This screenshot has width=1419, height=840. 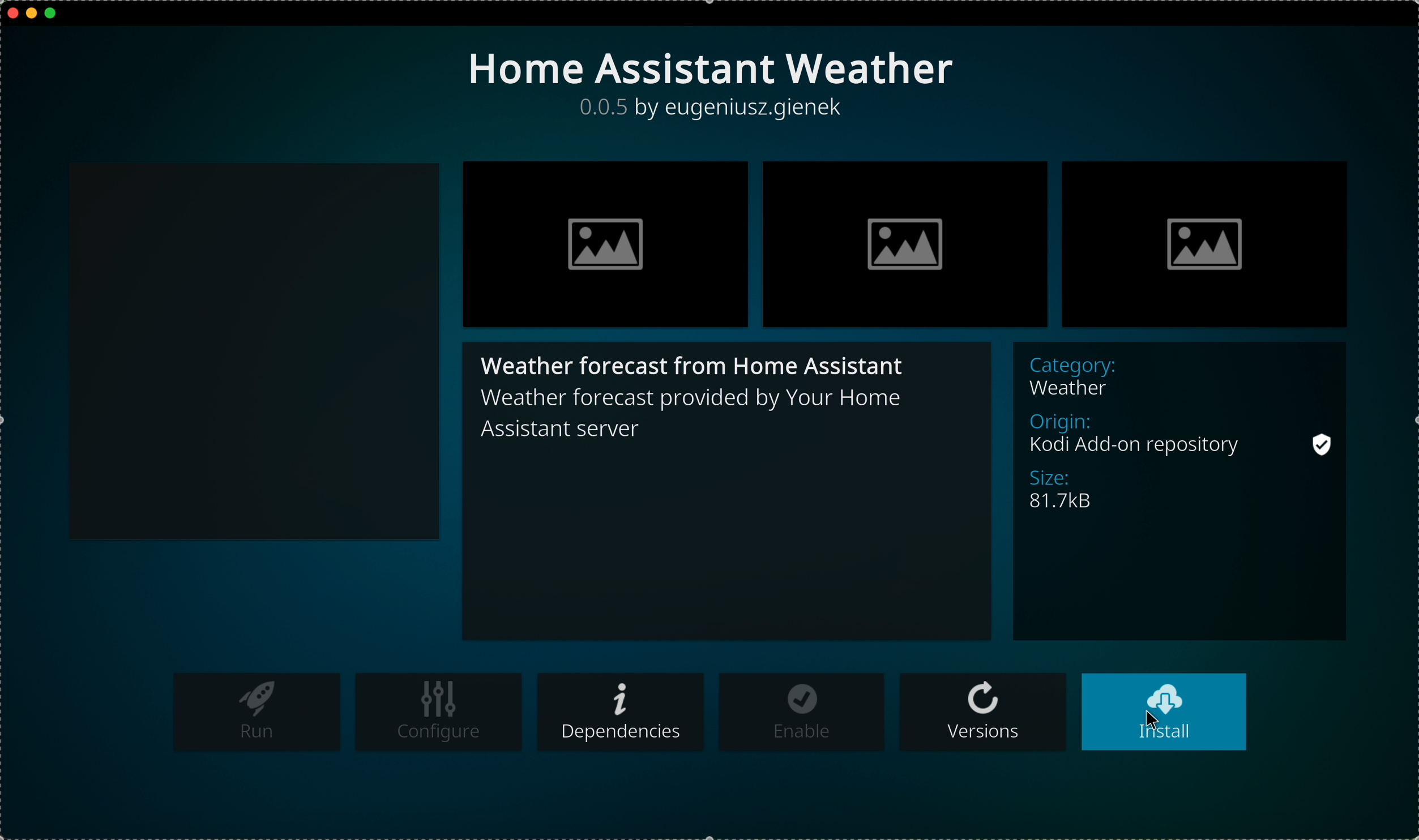 I want to click on enable, so click(x=803, y=712).